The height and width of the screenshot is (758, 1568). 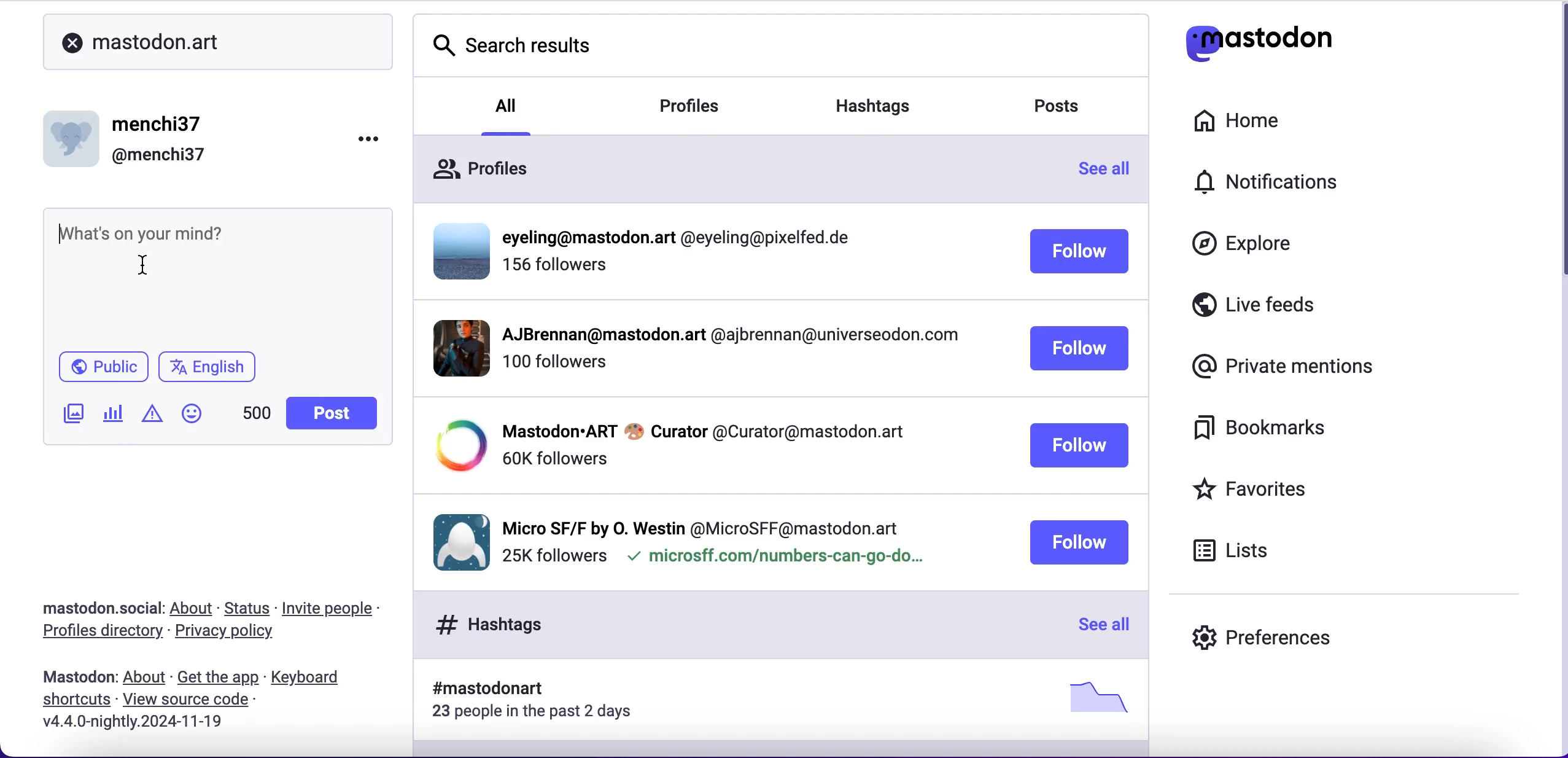 I want to click on profiles, so click(x=479, y=164).